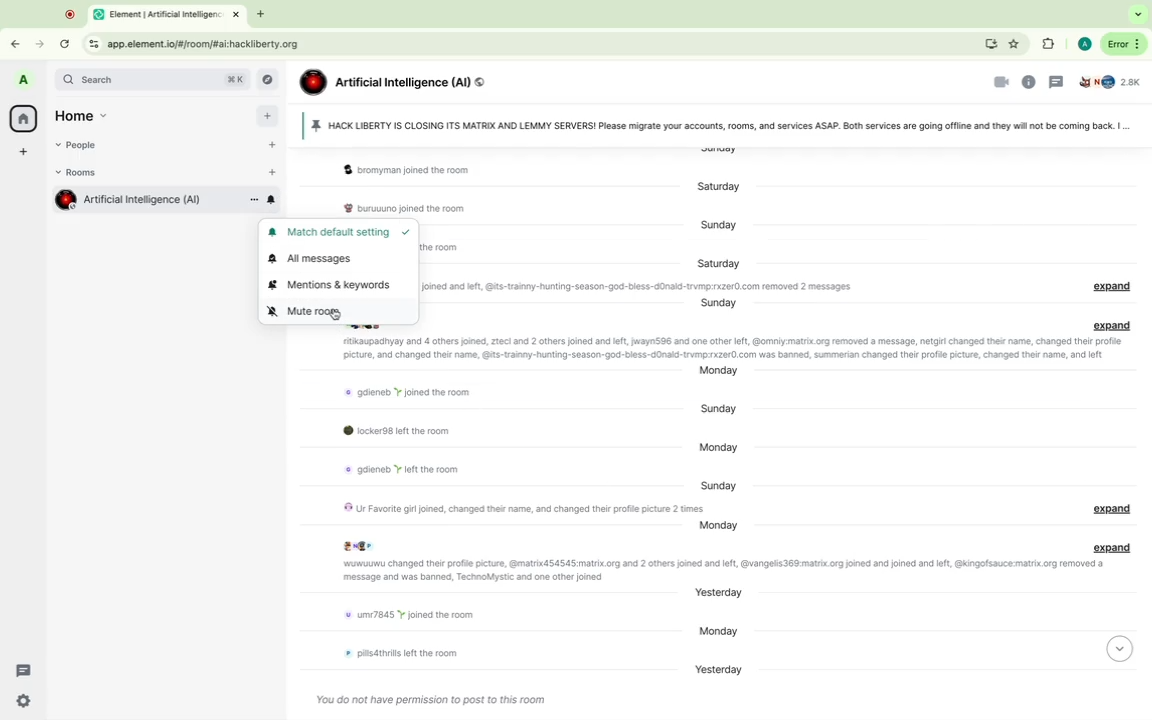 This screenshot has height=720, width=1152. Describe the element at coordinates (516, 508) in the screenshot. I see `Message` at that location.